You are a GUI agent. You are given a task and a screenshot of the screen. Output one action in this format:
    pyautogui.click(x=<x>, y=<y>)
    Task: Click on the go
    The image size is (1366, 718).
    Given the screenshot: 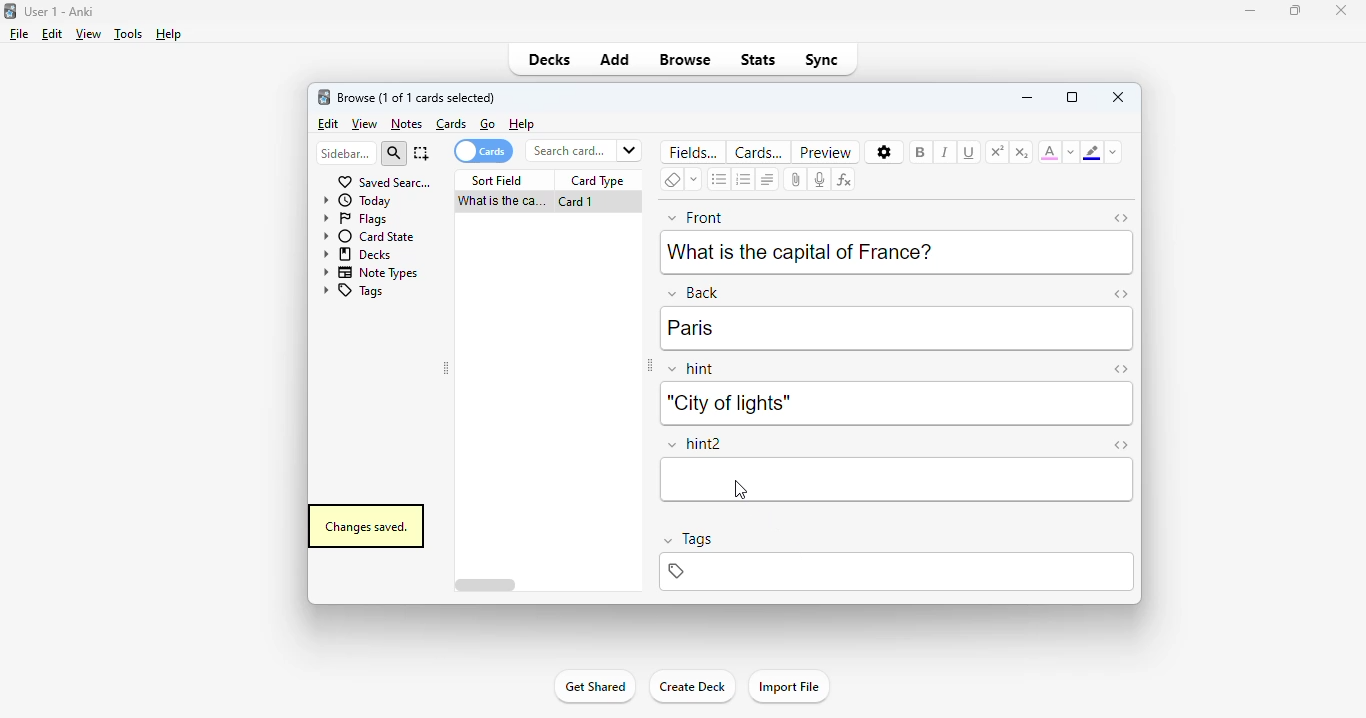 What is the action you would take?
    pyautogui.click(x=488, y=124)
    